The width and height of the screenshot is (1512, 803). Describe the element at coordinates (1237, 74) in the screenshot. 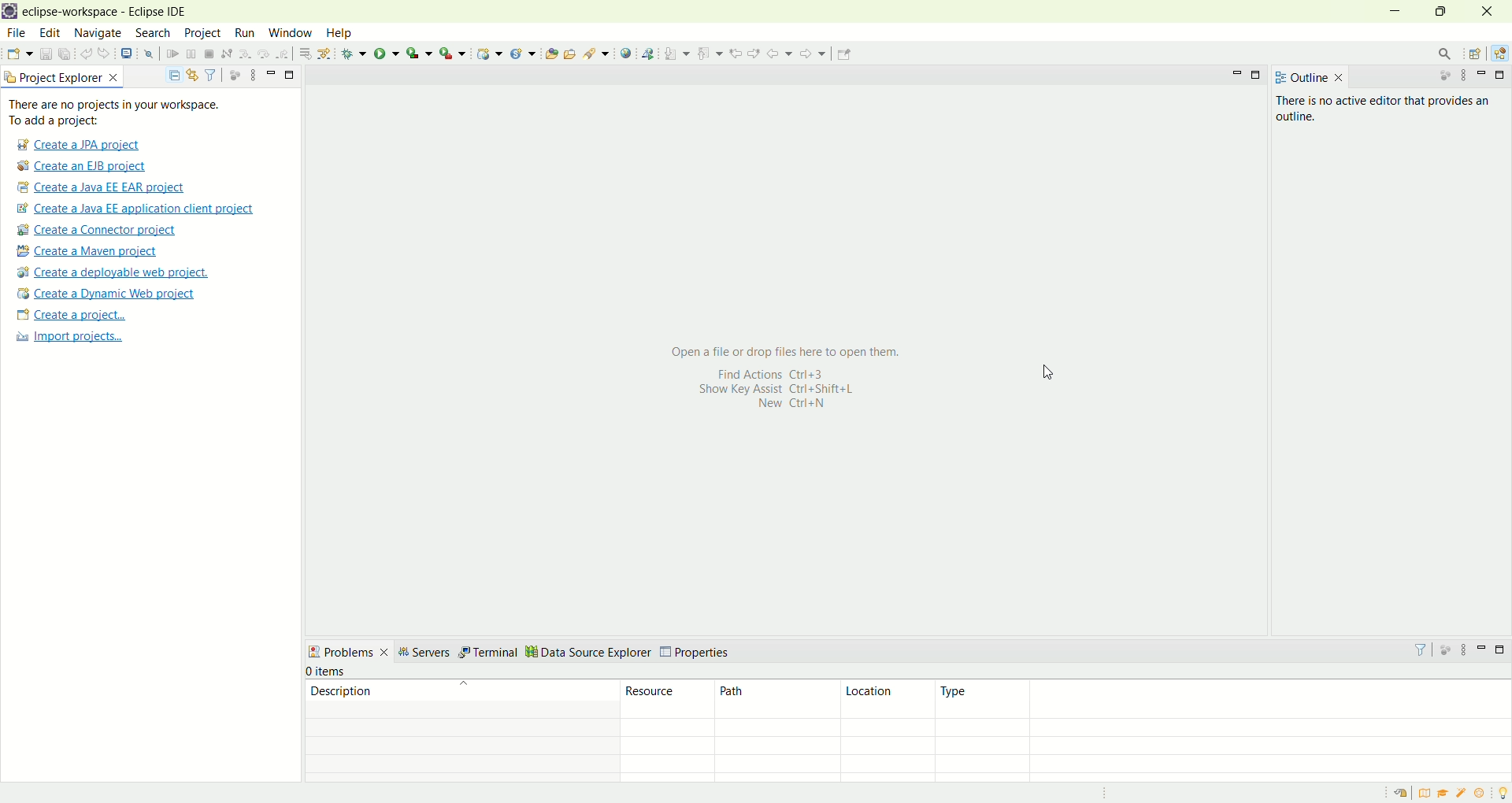

I see `minimize` at that location.